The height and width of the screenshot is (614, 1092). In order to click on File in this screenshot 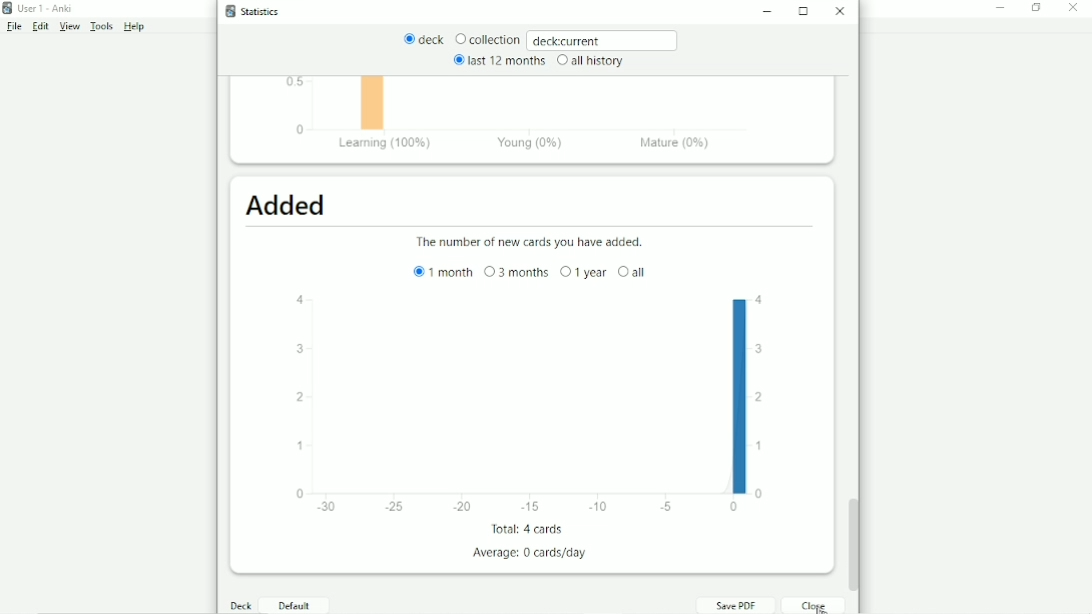, I will do `click(13, 27)`.